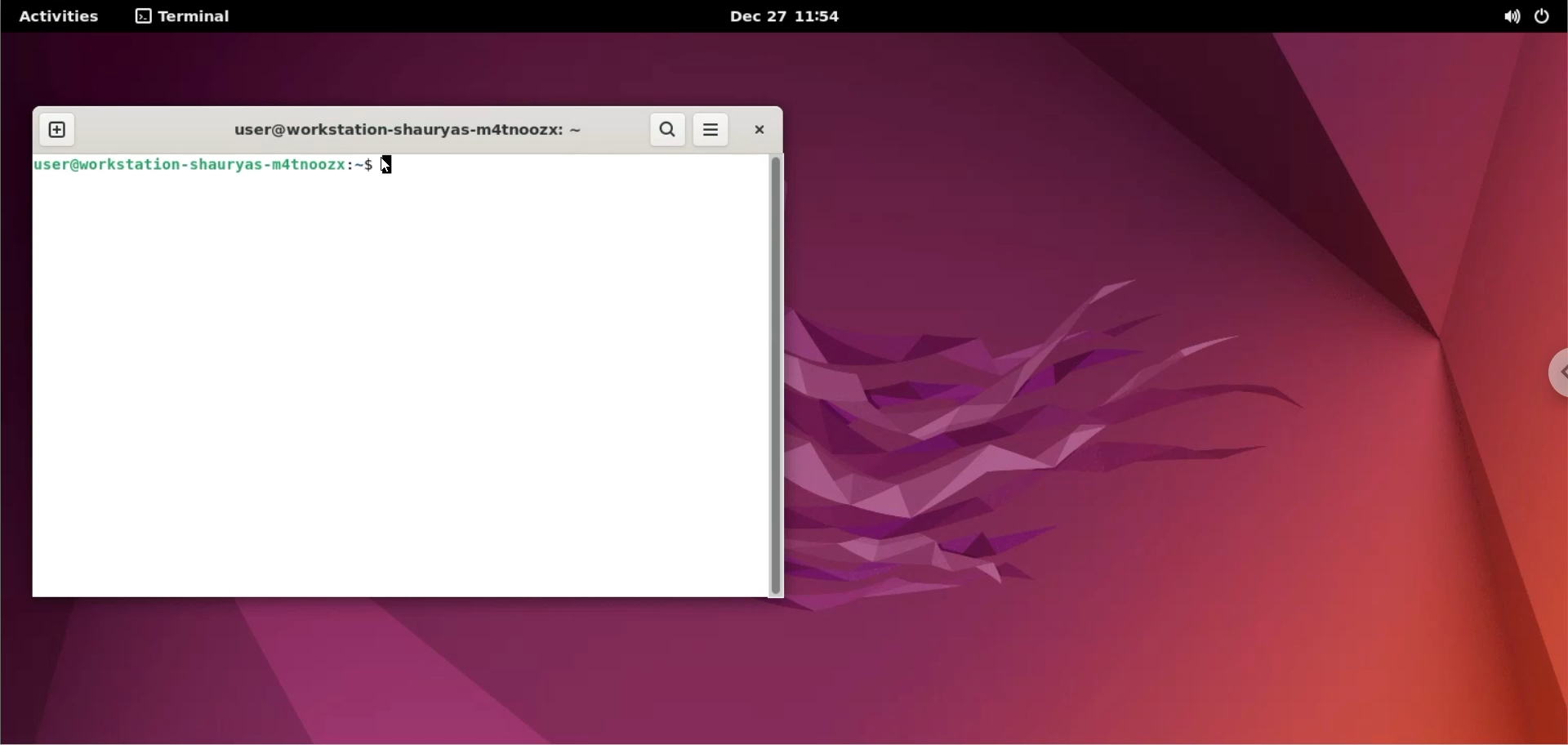  I want to click on command input, so click(572, 167).